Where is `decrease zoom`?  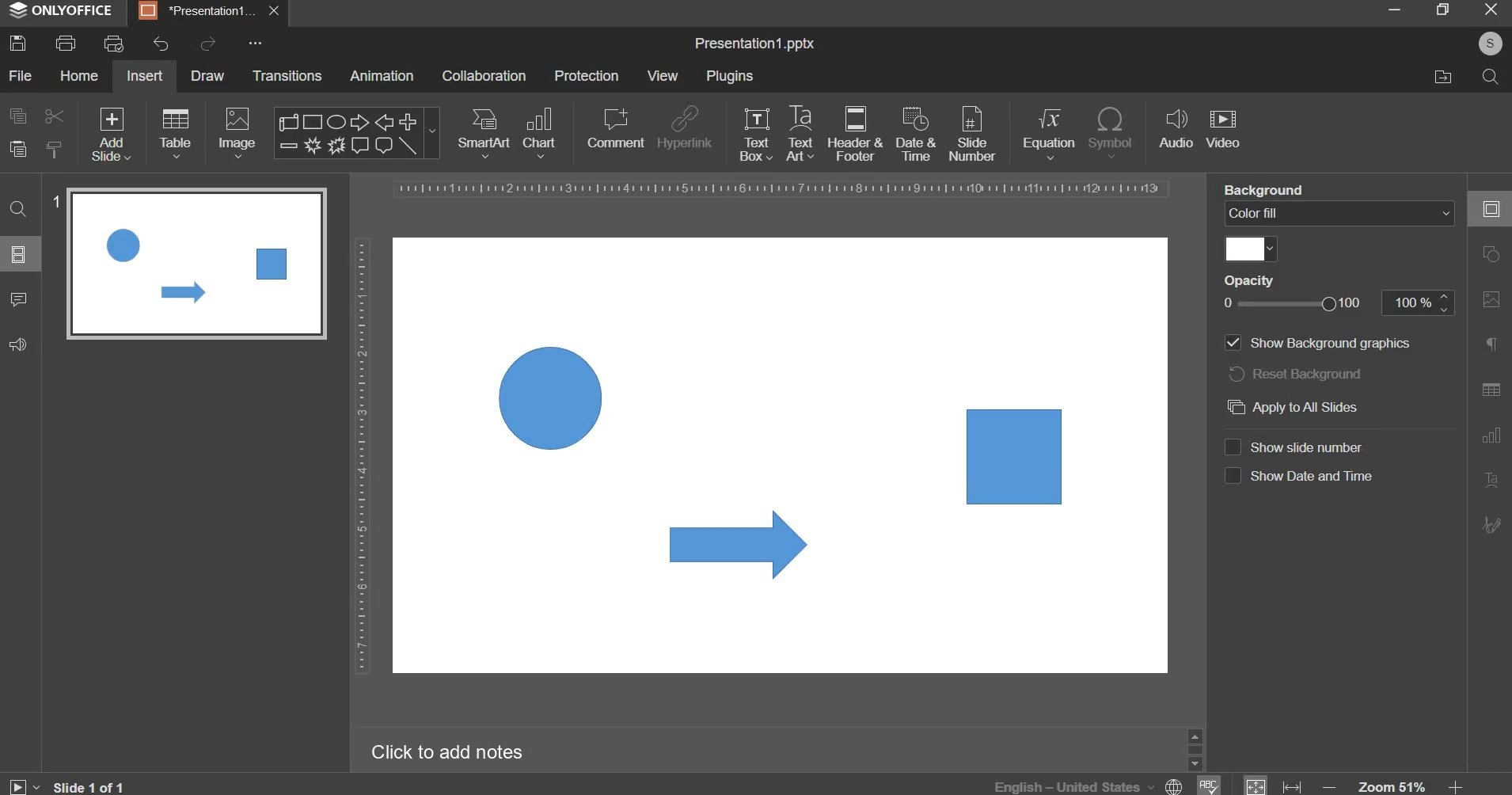
decrease zoom is located at coordinates (1330, 786).